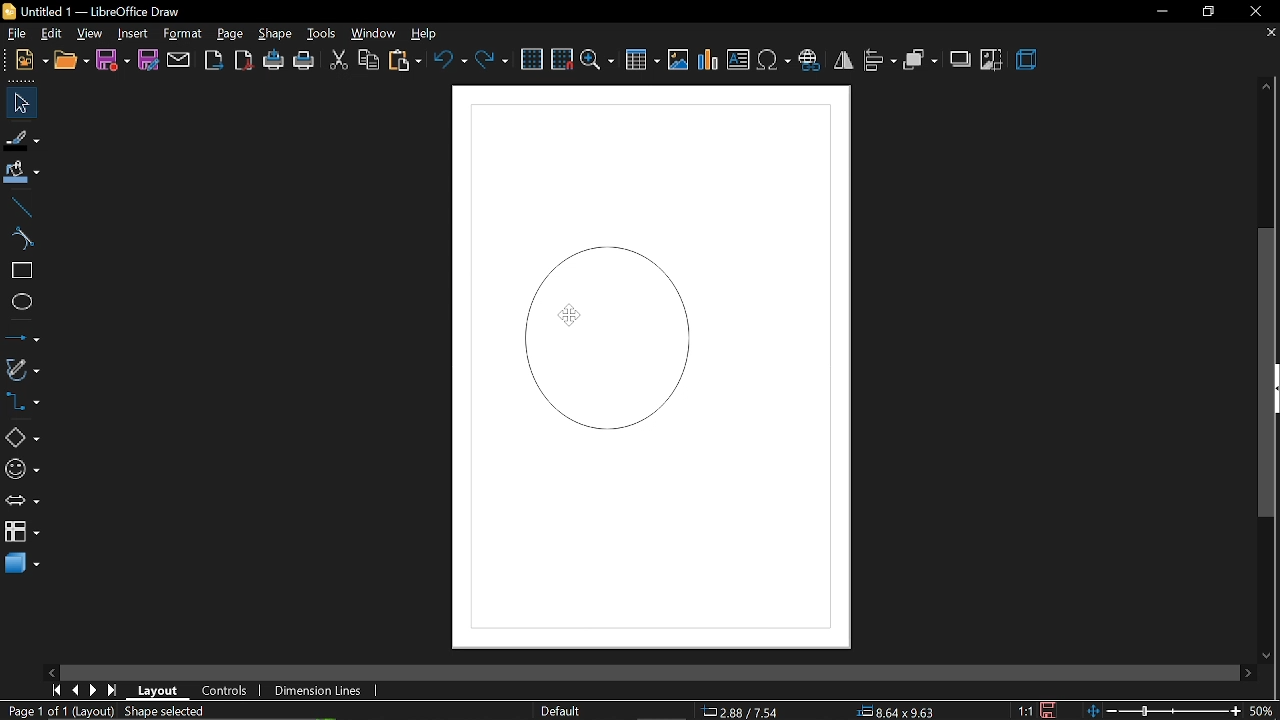 Image resolution: width=1280 pixels, height=720 pixels. Describe the element at coordinates (642, 60) in the screenshot. I see `insert table` at that location.